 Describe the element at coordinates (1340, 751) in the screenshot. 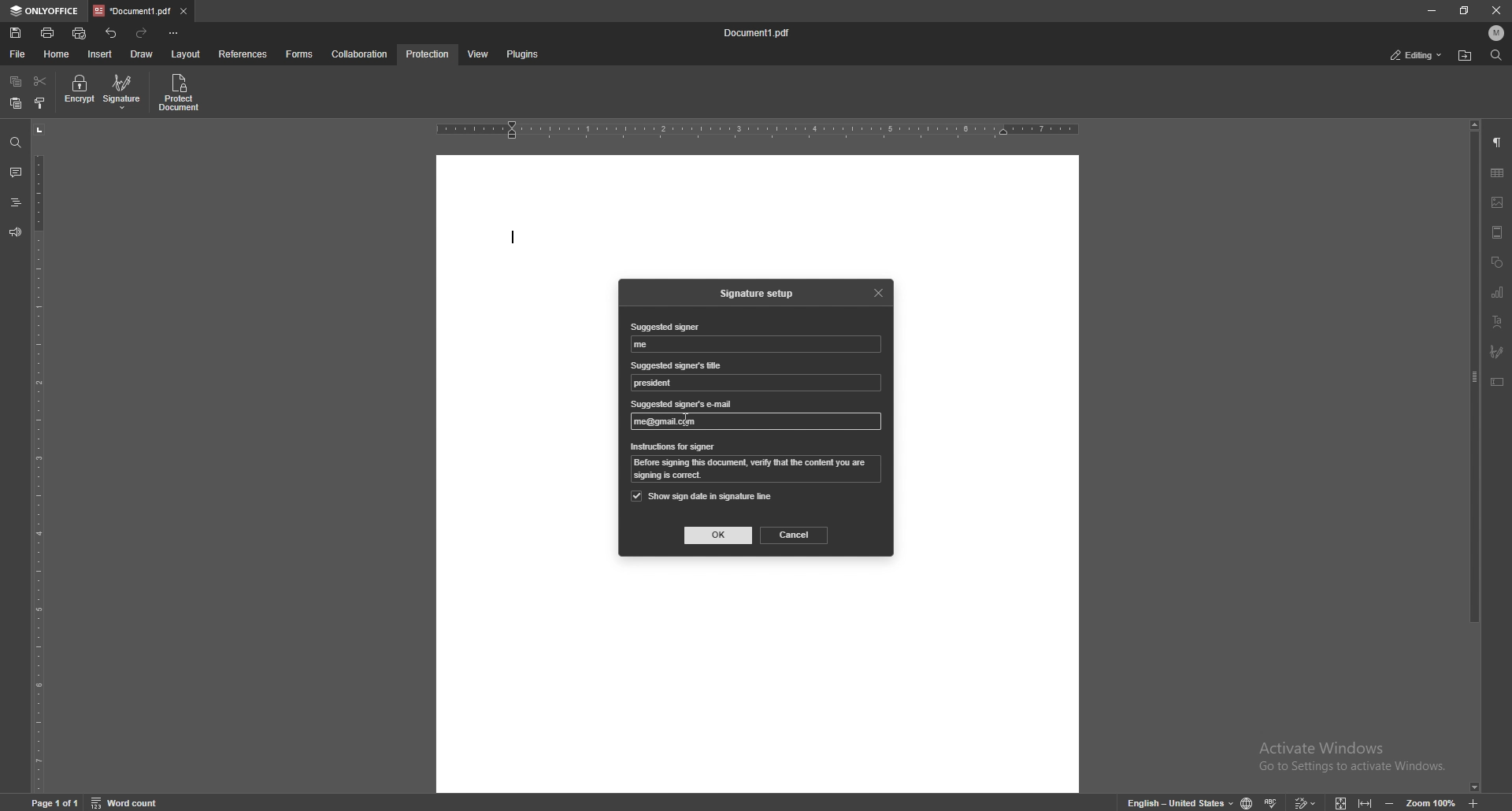

I see `Activate windows` at that location.